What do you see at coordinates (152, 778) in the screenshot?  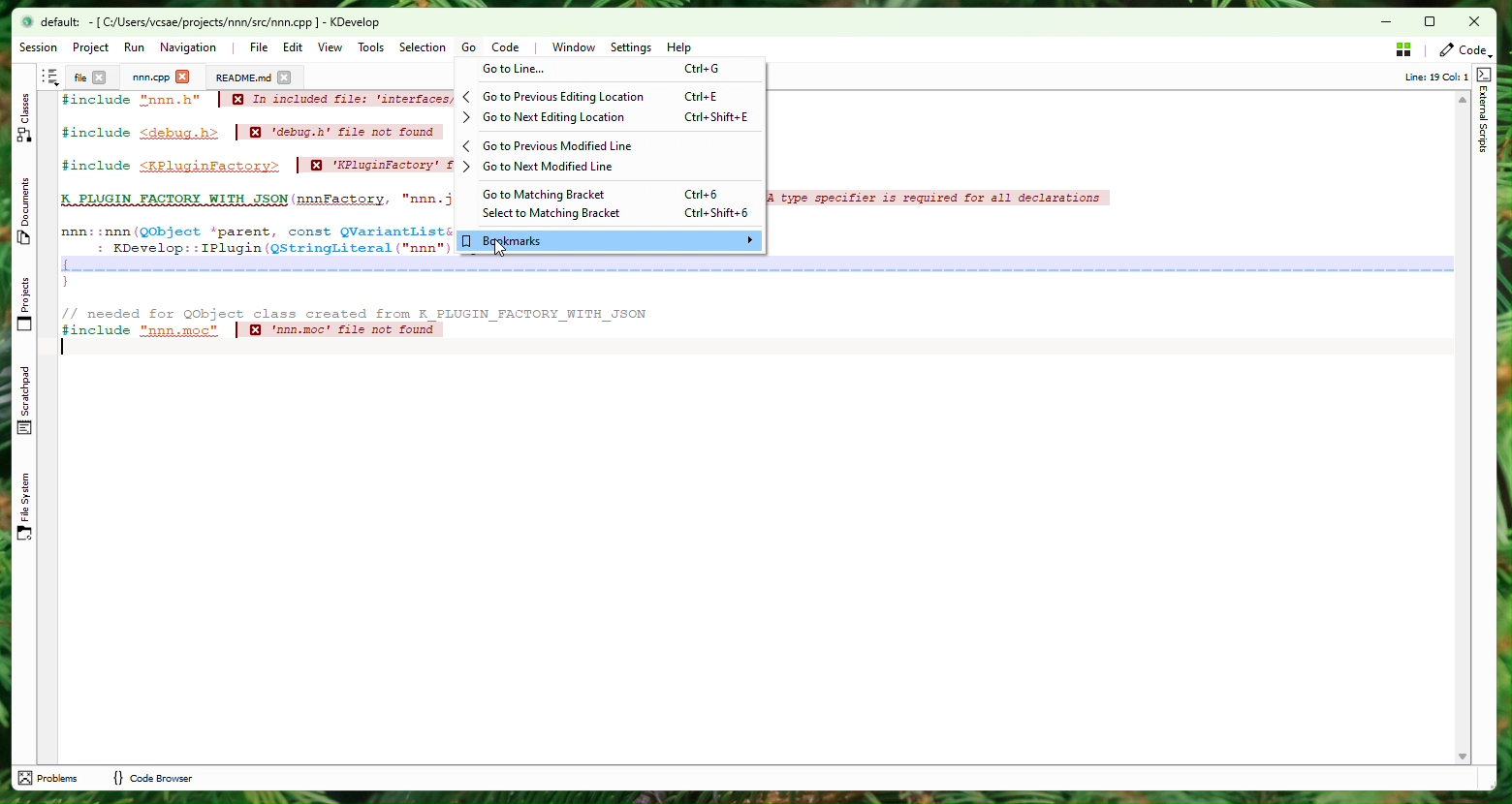 I see `code browser` at bounding box center [152, 778].